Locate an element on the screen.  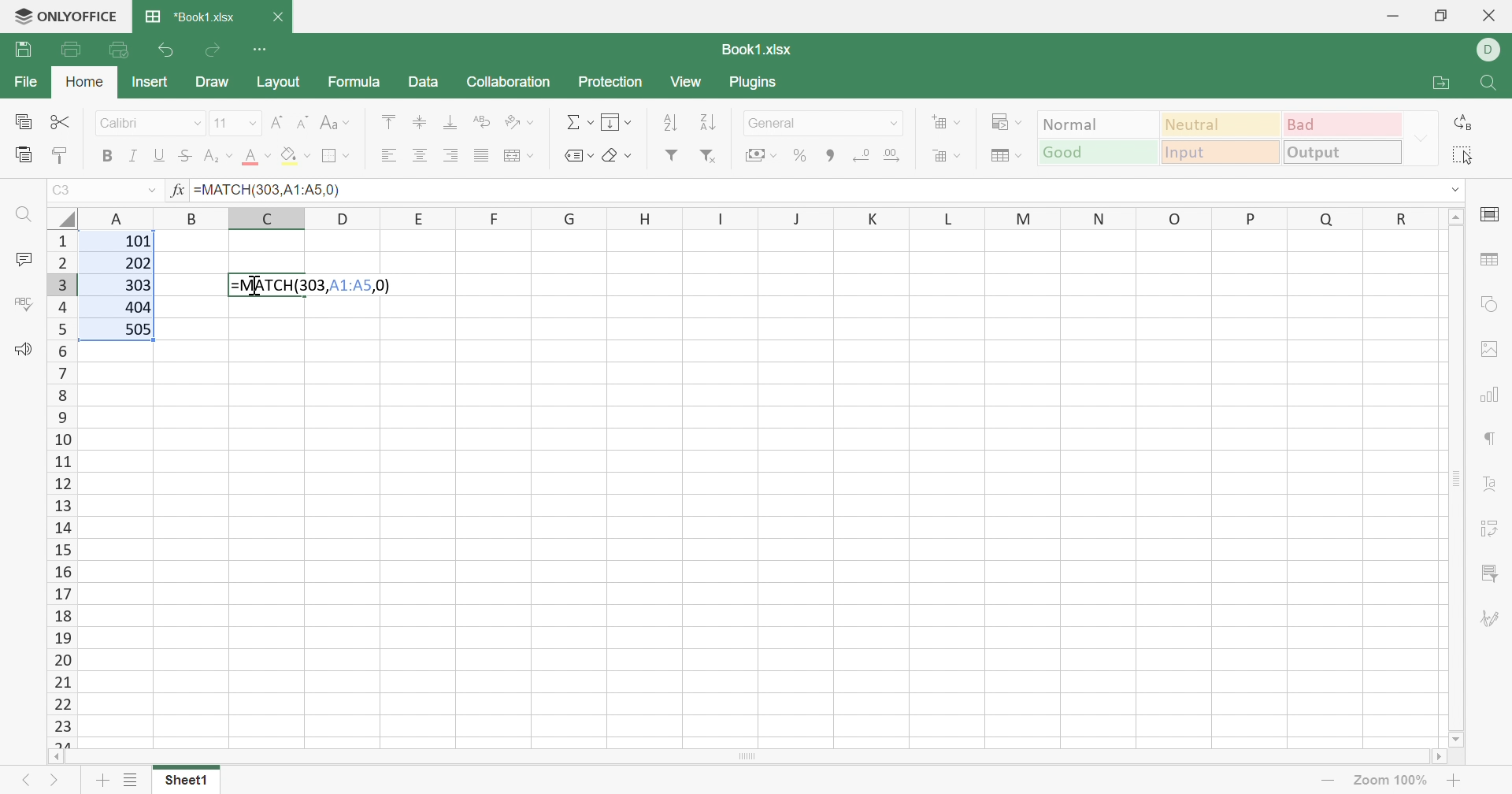
Pivot table settings is located at coordinates (1496, 532).